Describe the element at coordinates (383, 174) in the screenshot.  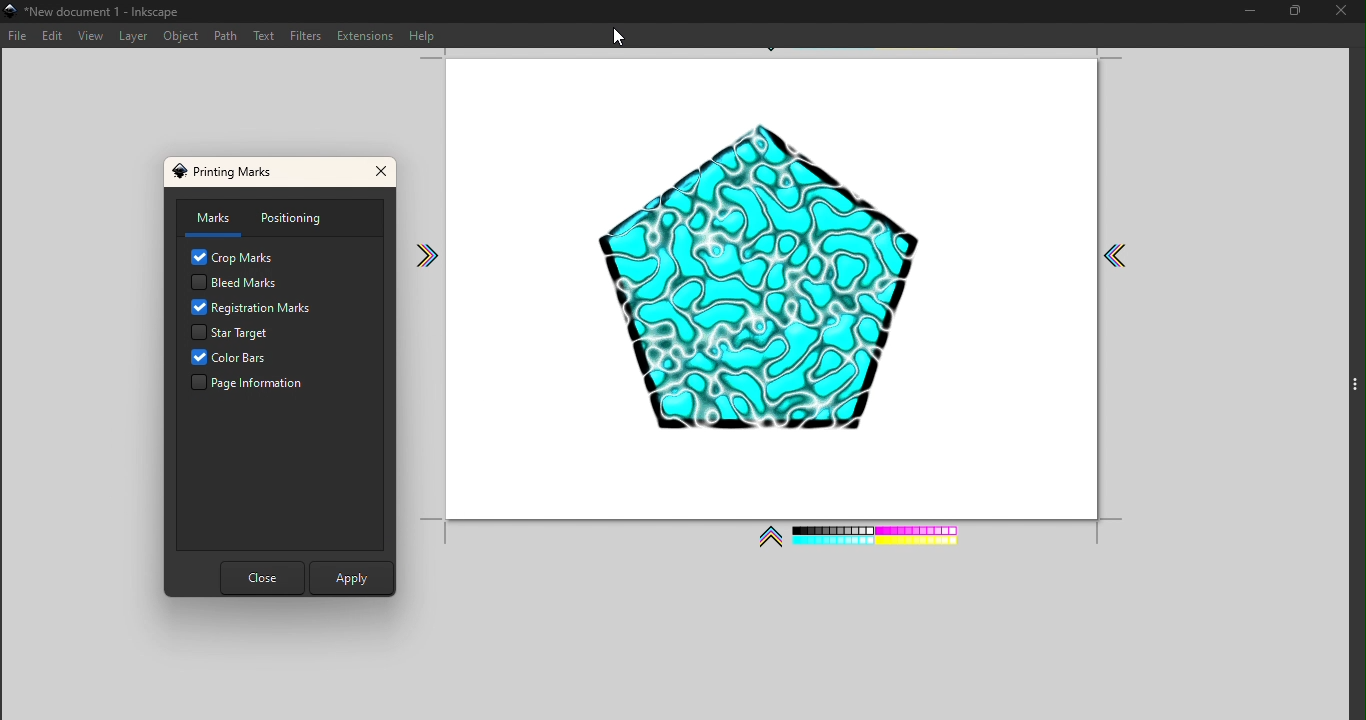
I see `Close` at that location.